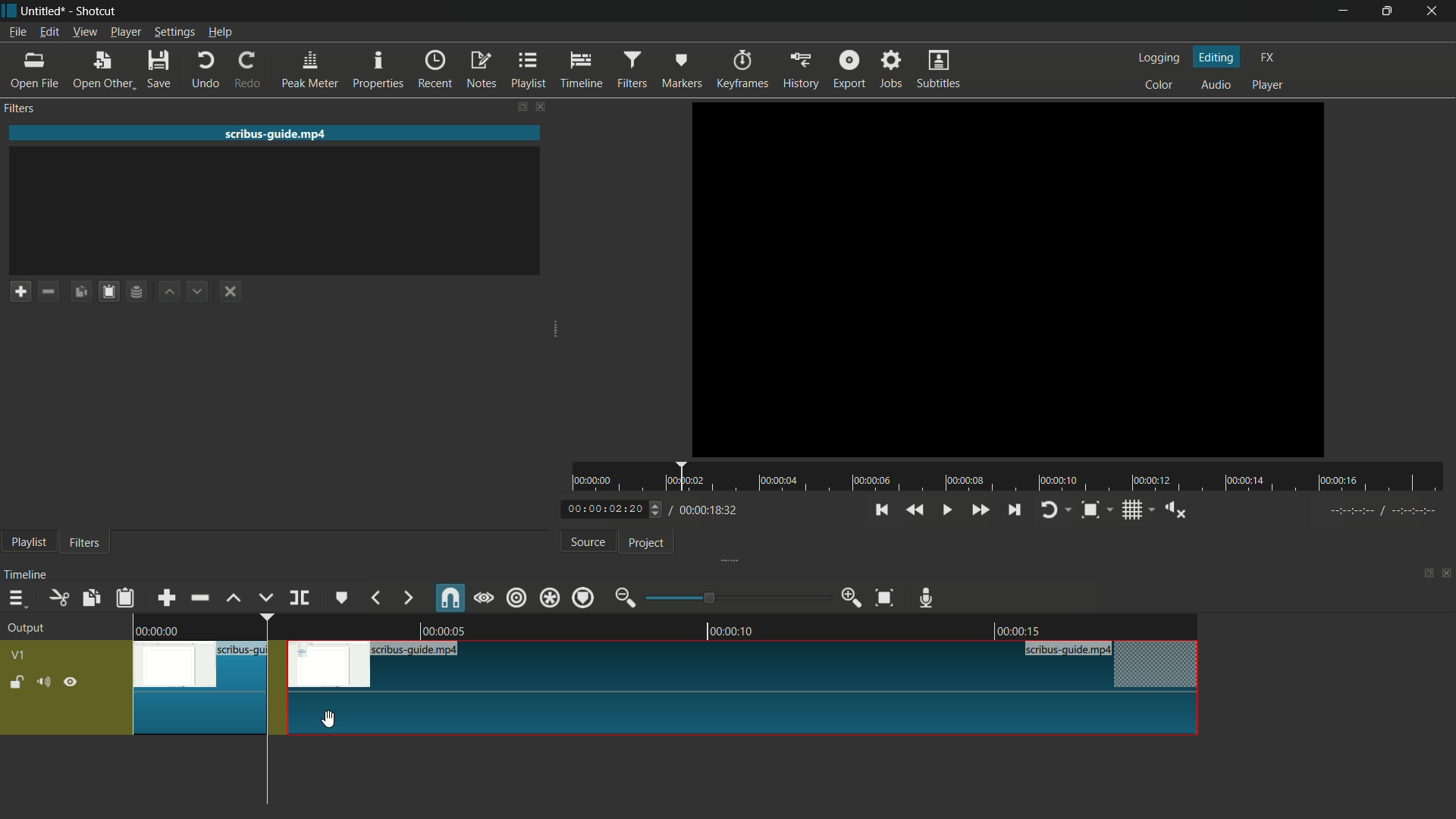 Image resolution: width=1456 pixels, height=819 pixels. What do you see at coordinates (1015, 510) in the screenshot?
I see `skip to the next point` at bounding box center [1015, 510].